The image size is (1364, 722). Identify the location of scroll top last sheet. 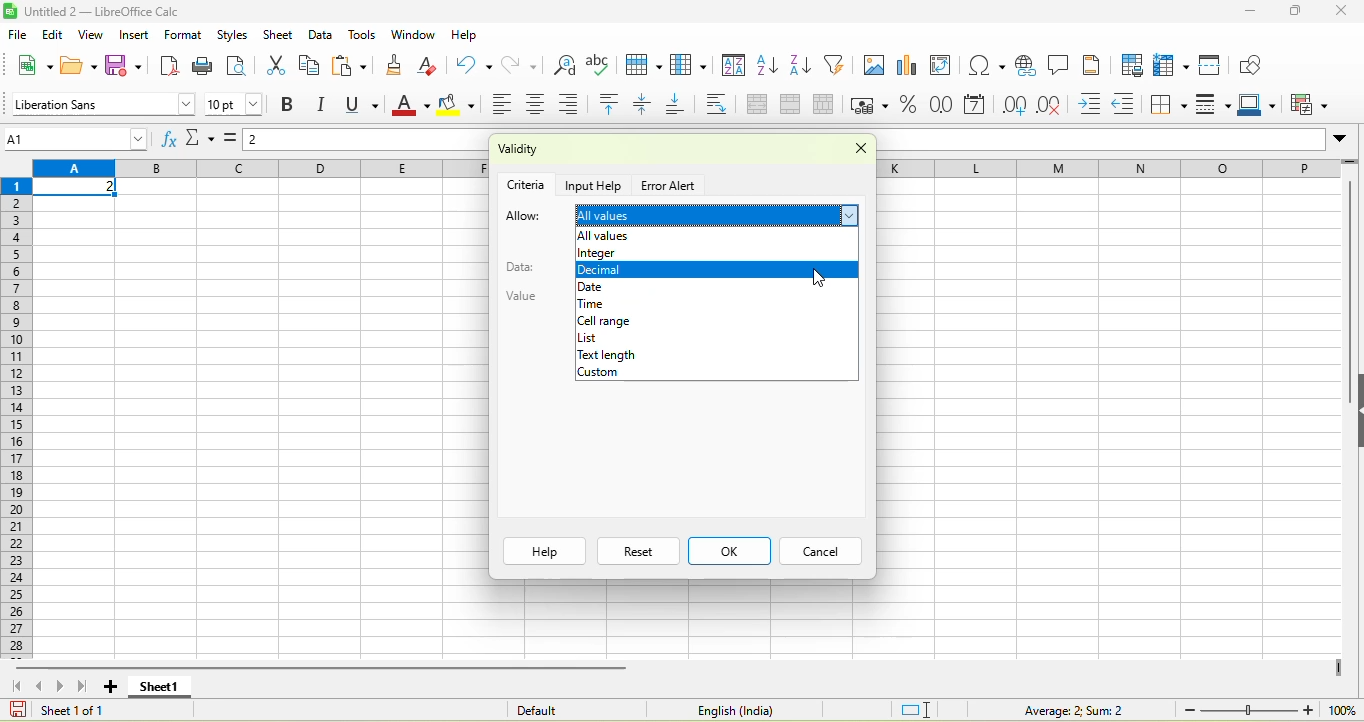
(86, 686).